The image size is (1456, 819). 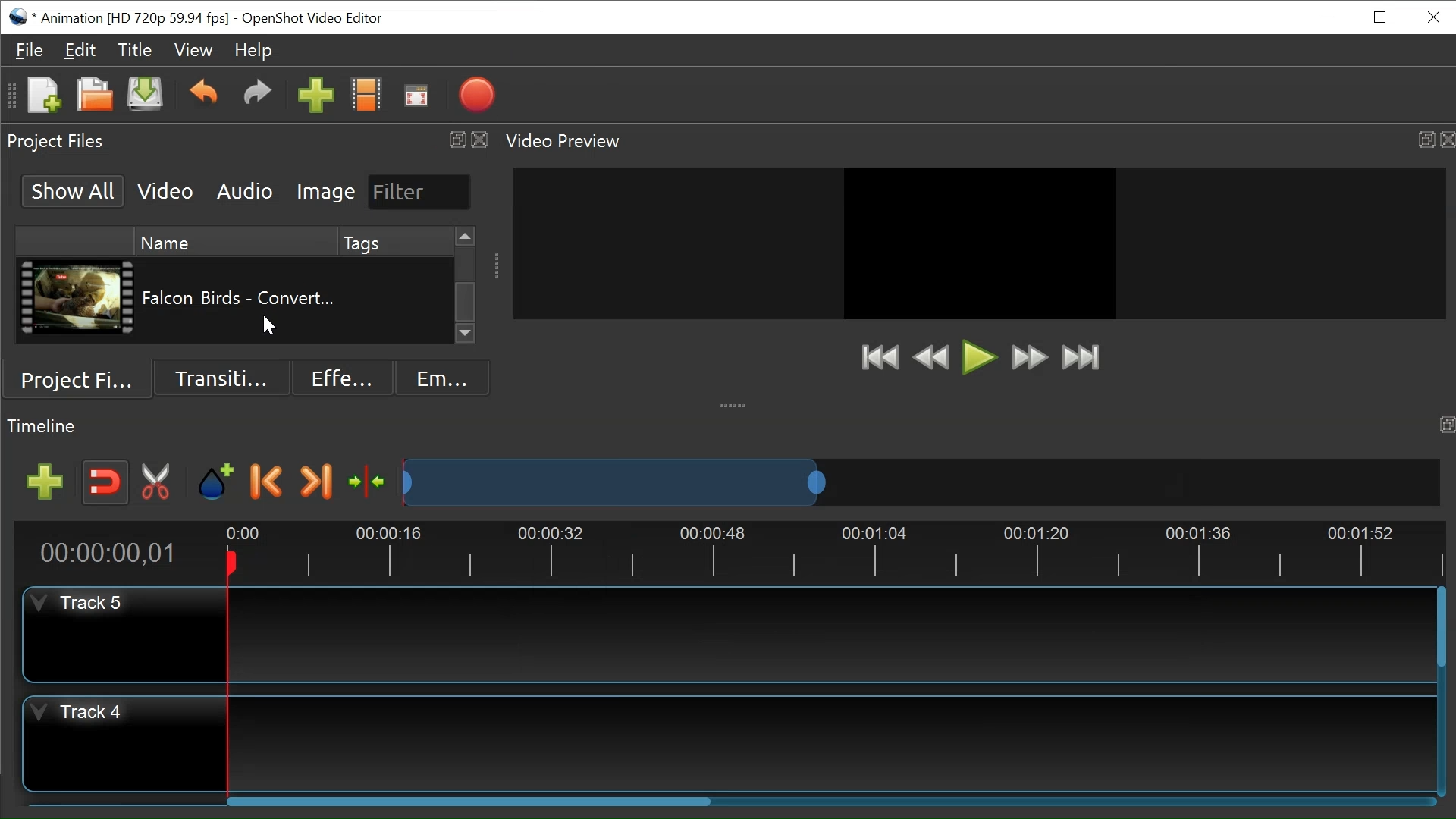 I want to click on Play, so click(x=980, y=357).